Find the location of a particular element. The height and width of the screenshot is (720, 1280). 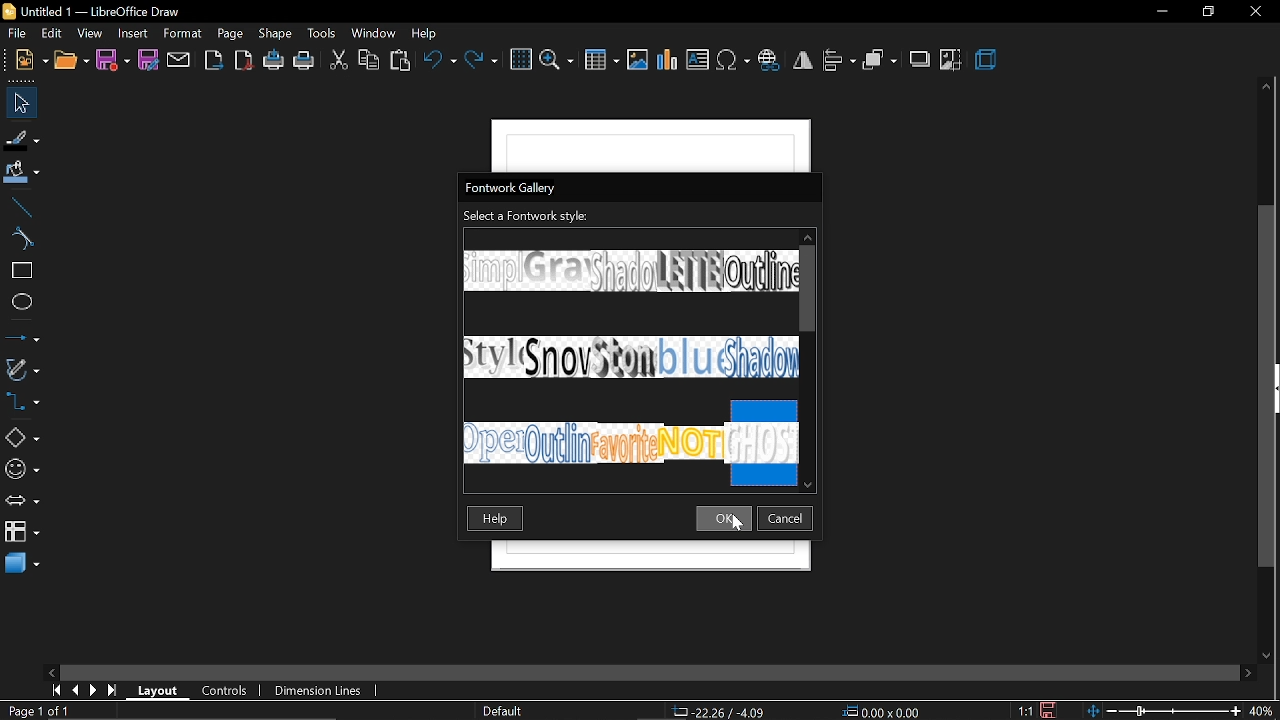

zoom scale is located at coordinates (1163, 711).